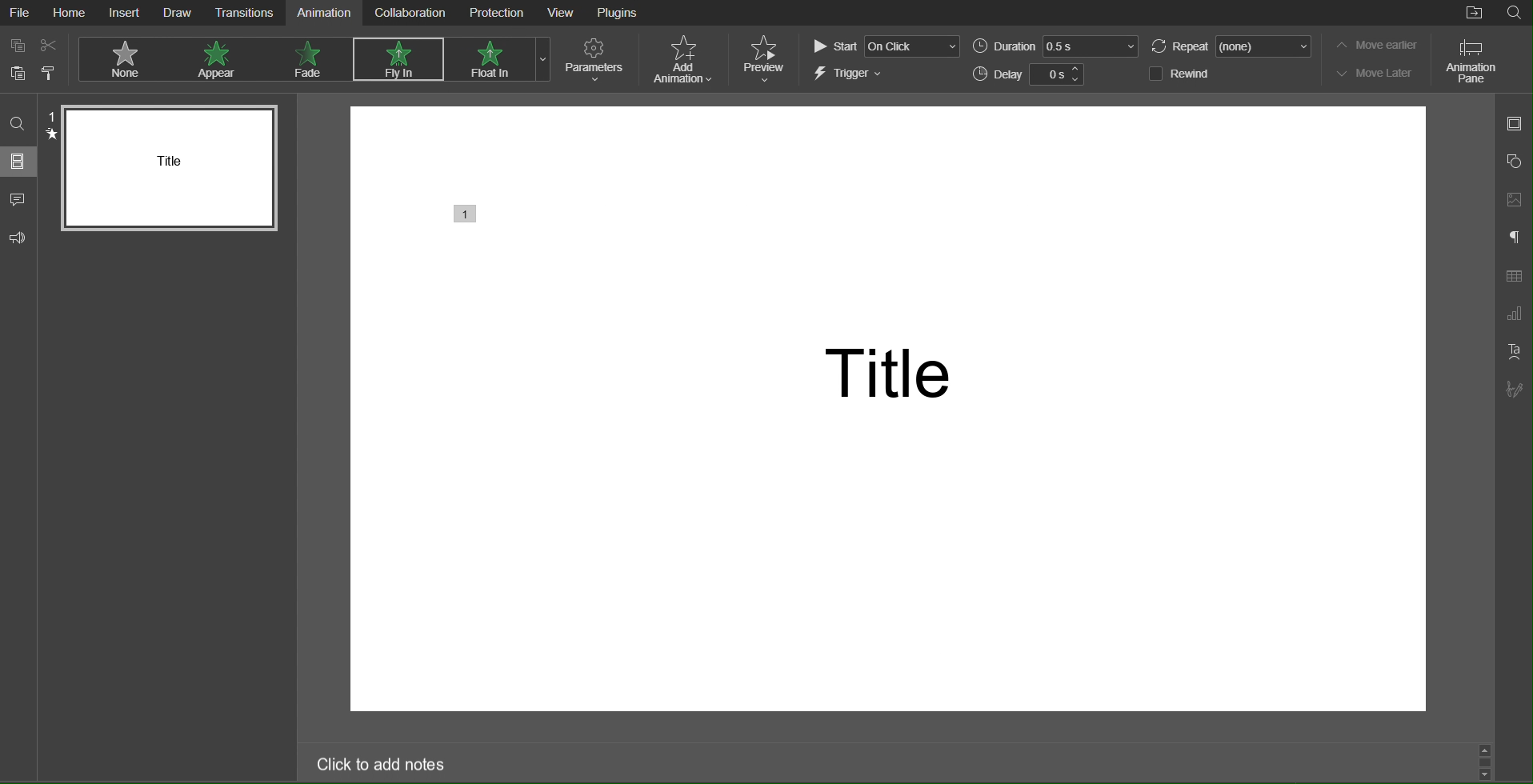  Describe the element at coordinates (384, 765) in the screenshot. I see `Click to add notes` at that location.